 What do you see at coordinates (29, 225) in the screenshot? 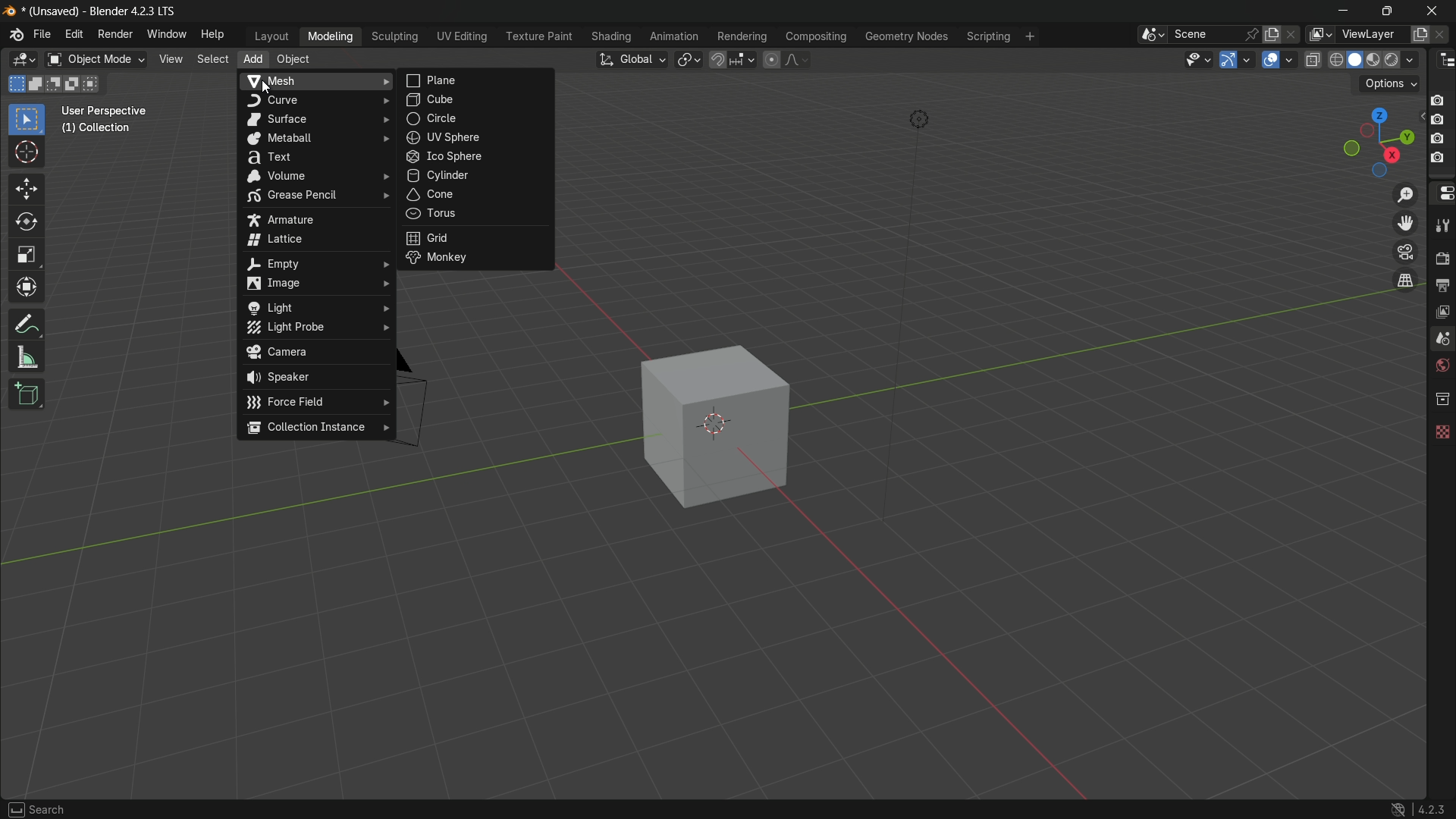
I see `rotate` at bounding box center [29, 225].